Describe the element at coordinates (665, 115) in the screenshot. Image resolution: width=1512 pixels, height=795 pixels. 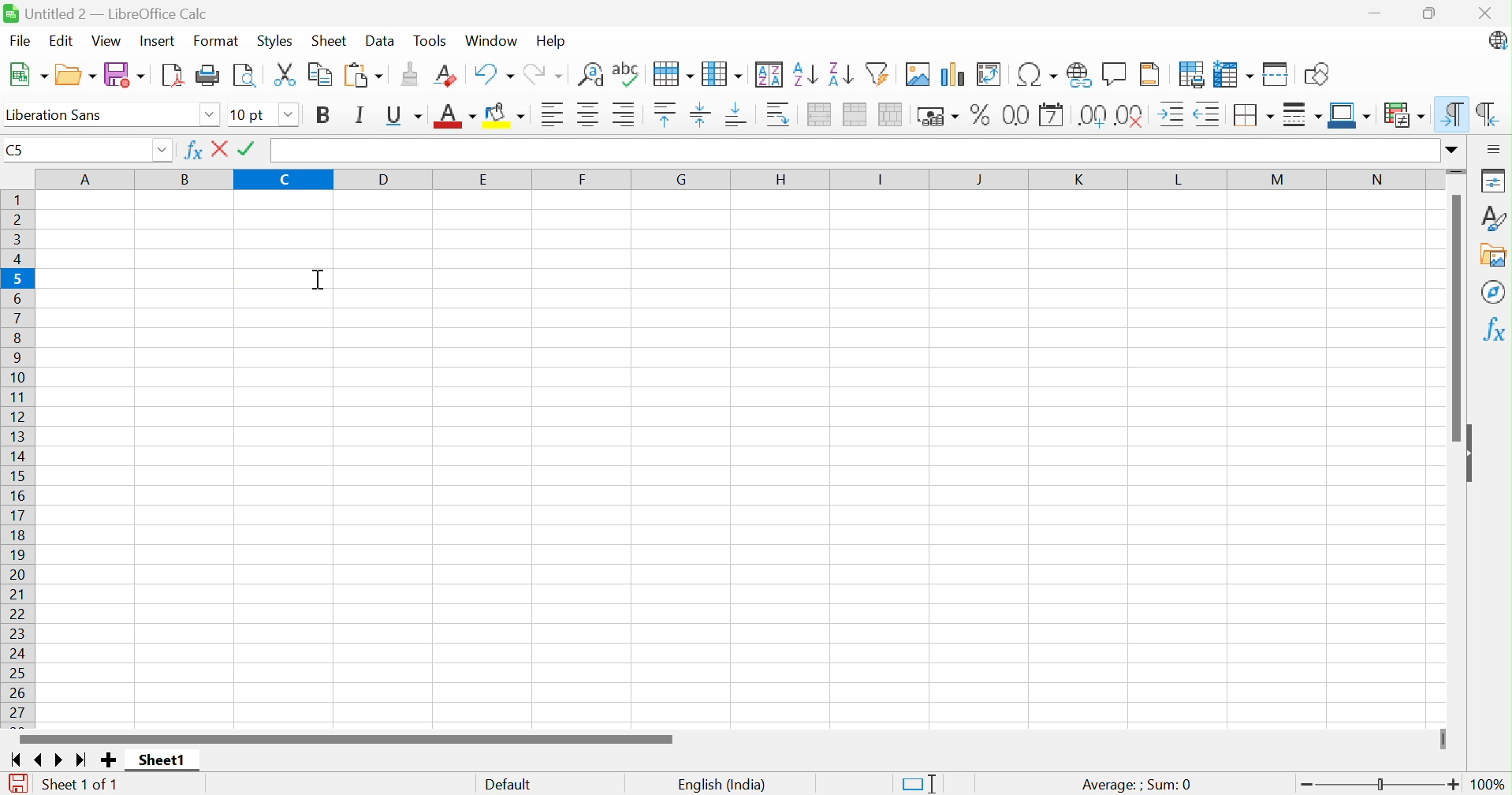
I see `Align top` at that location.